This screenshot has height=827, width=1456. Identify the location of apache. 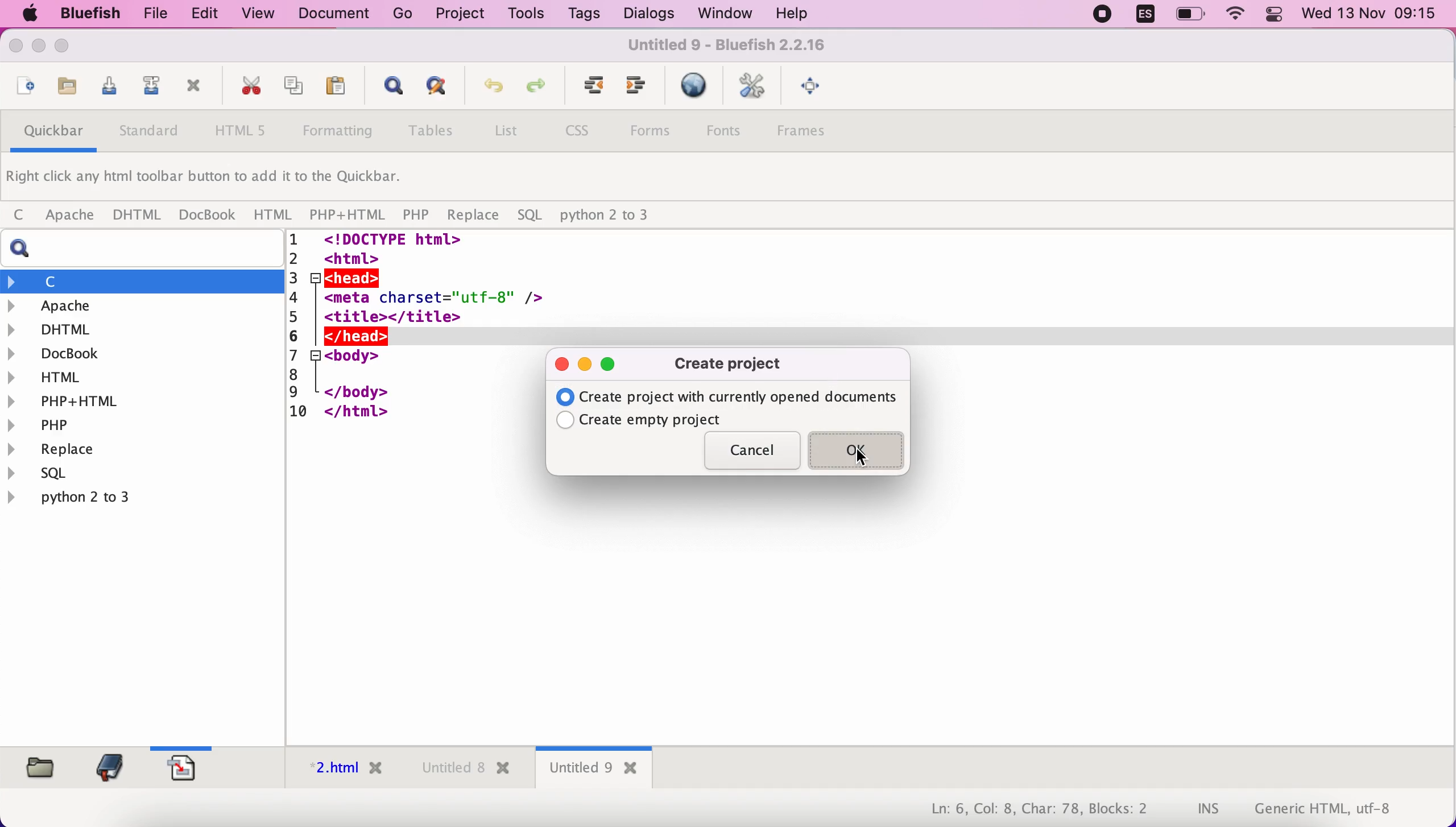
(67, 216).